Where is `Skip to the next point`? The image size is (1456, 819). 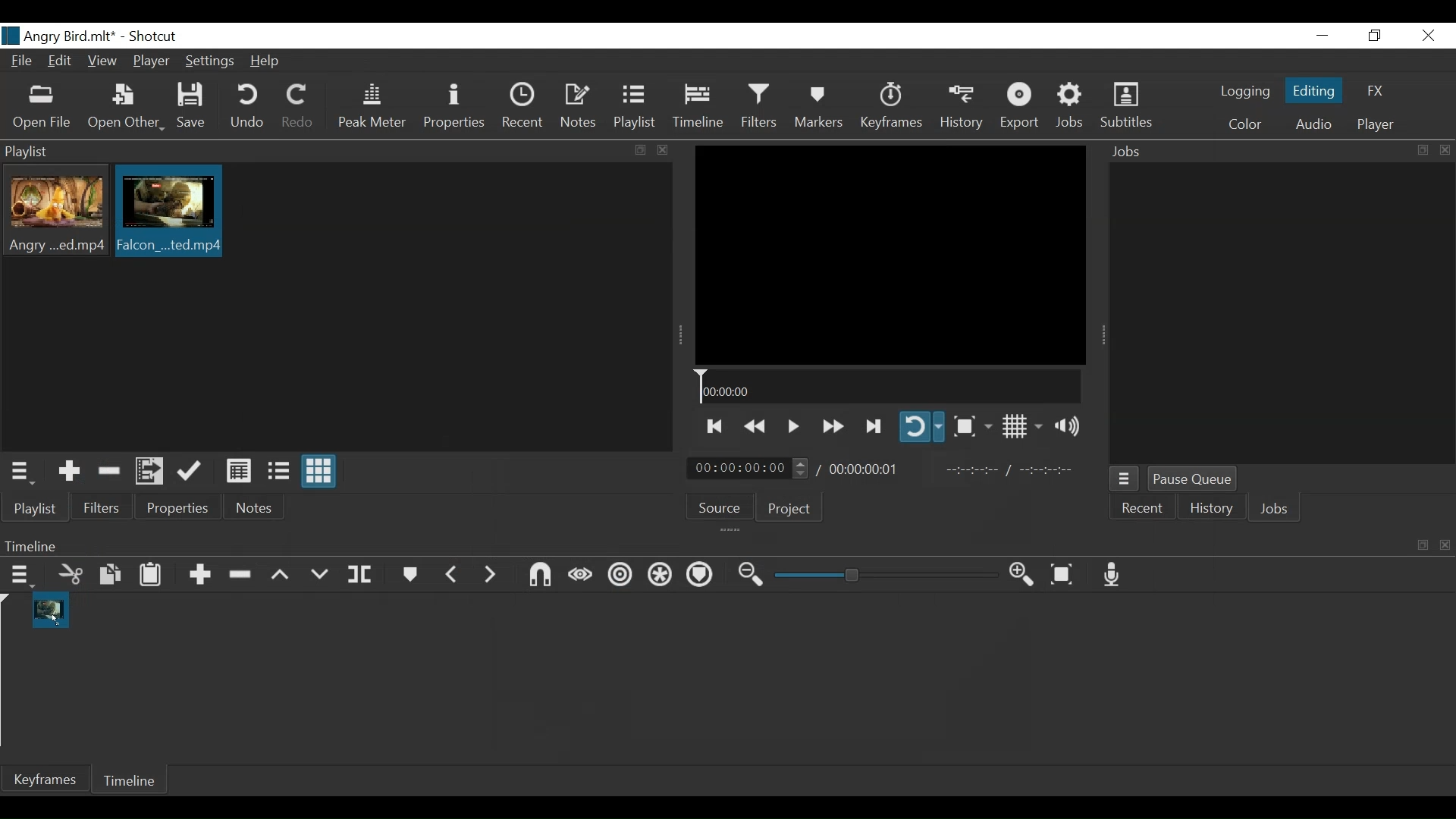 Skip to the next point is located at coordinates (874, 427).